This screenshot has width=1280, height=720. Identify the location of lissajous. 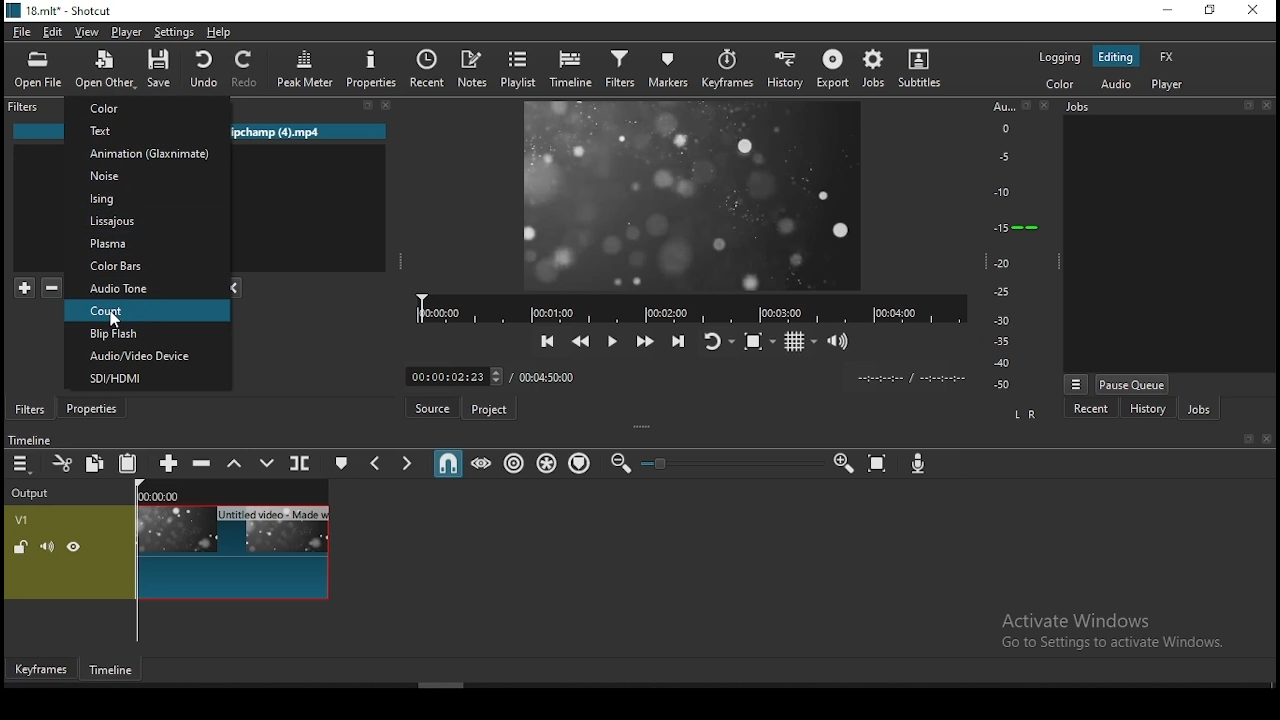
(146, 220).